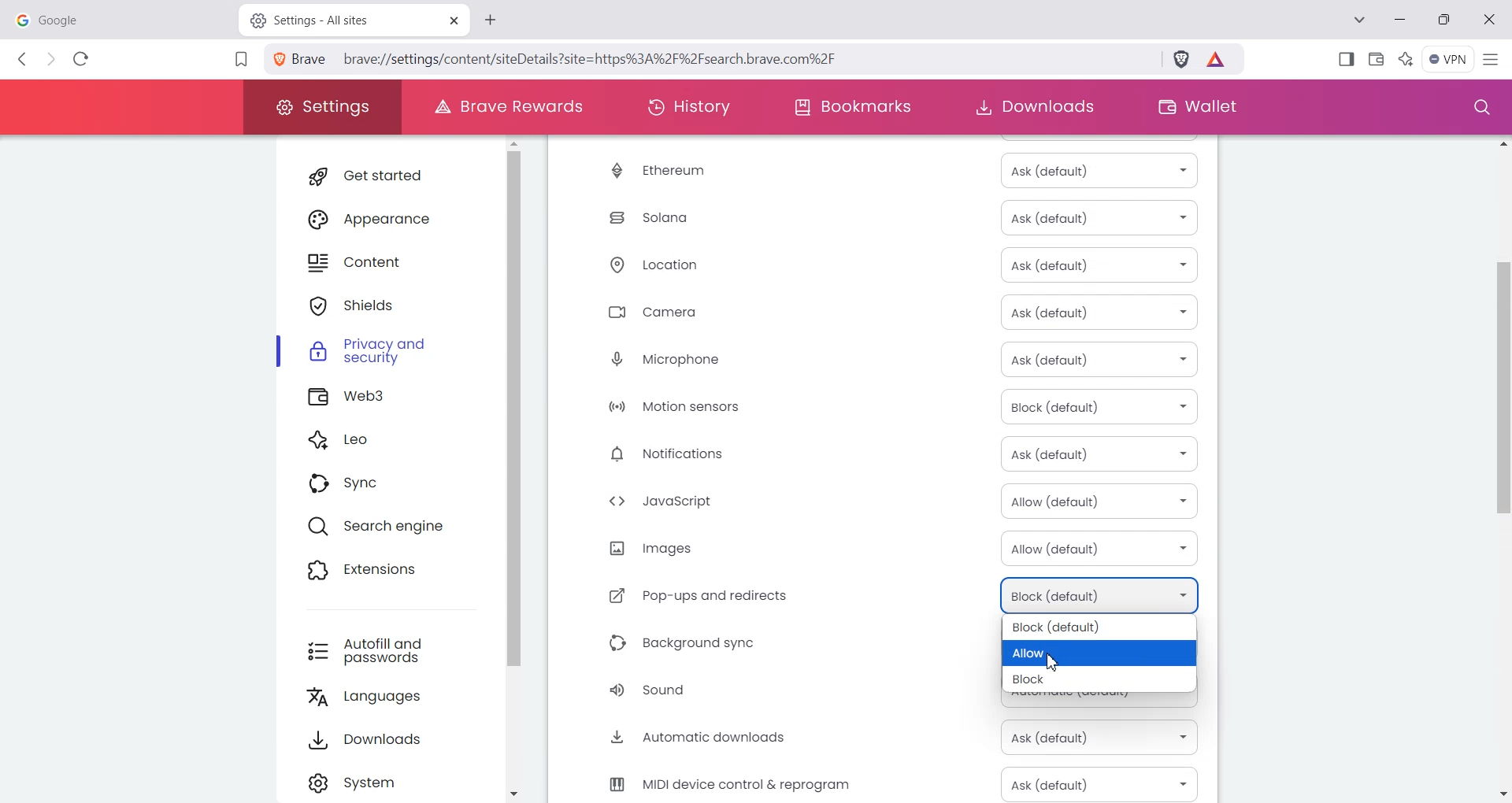 This screenshot has height=803, width=1512. What do you see at coordinates (1181, 61) in the screenshot?
I see `Brave Shield` at bounding box center [1181, 61].